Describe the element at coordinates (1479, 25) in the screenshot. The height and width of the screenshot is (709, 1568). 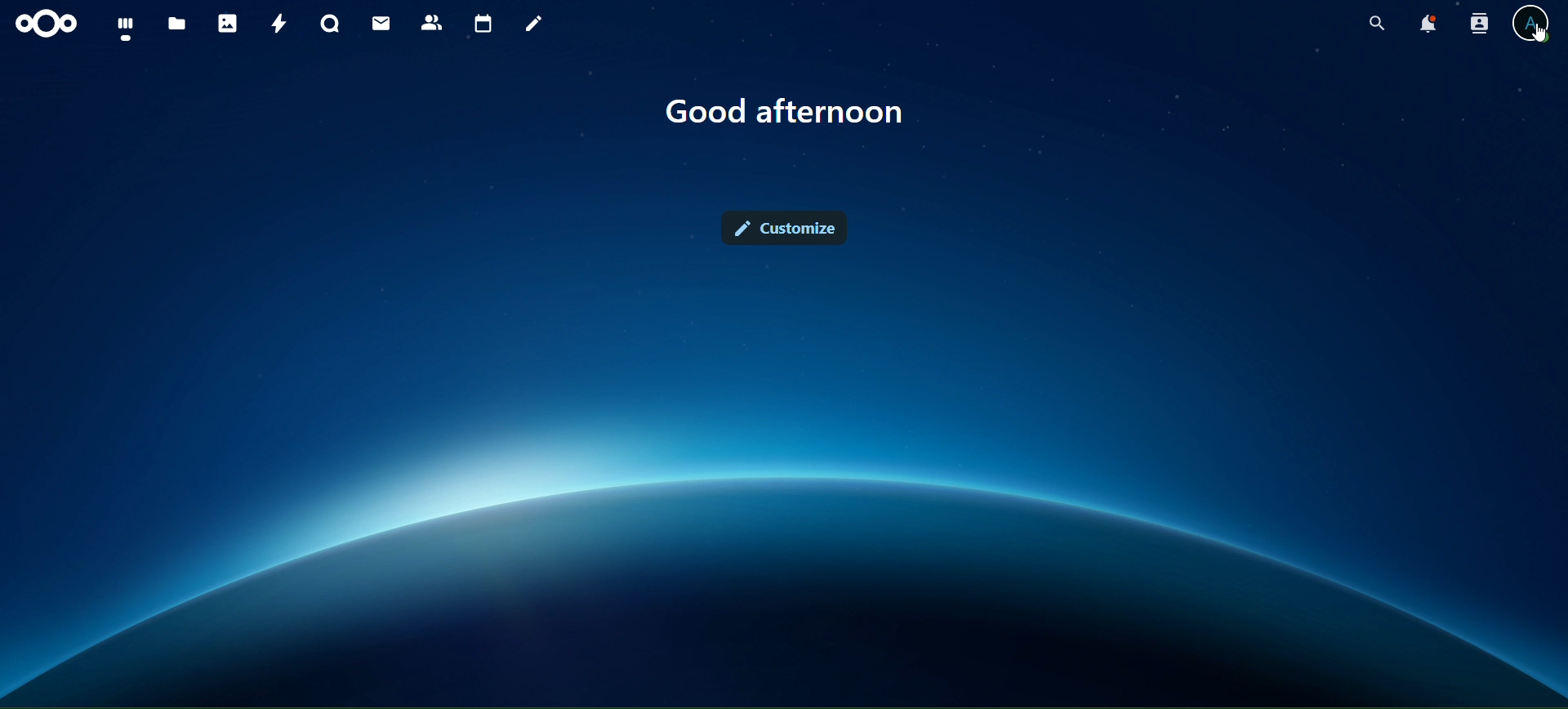
I see `search contacts` at that location.